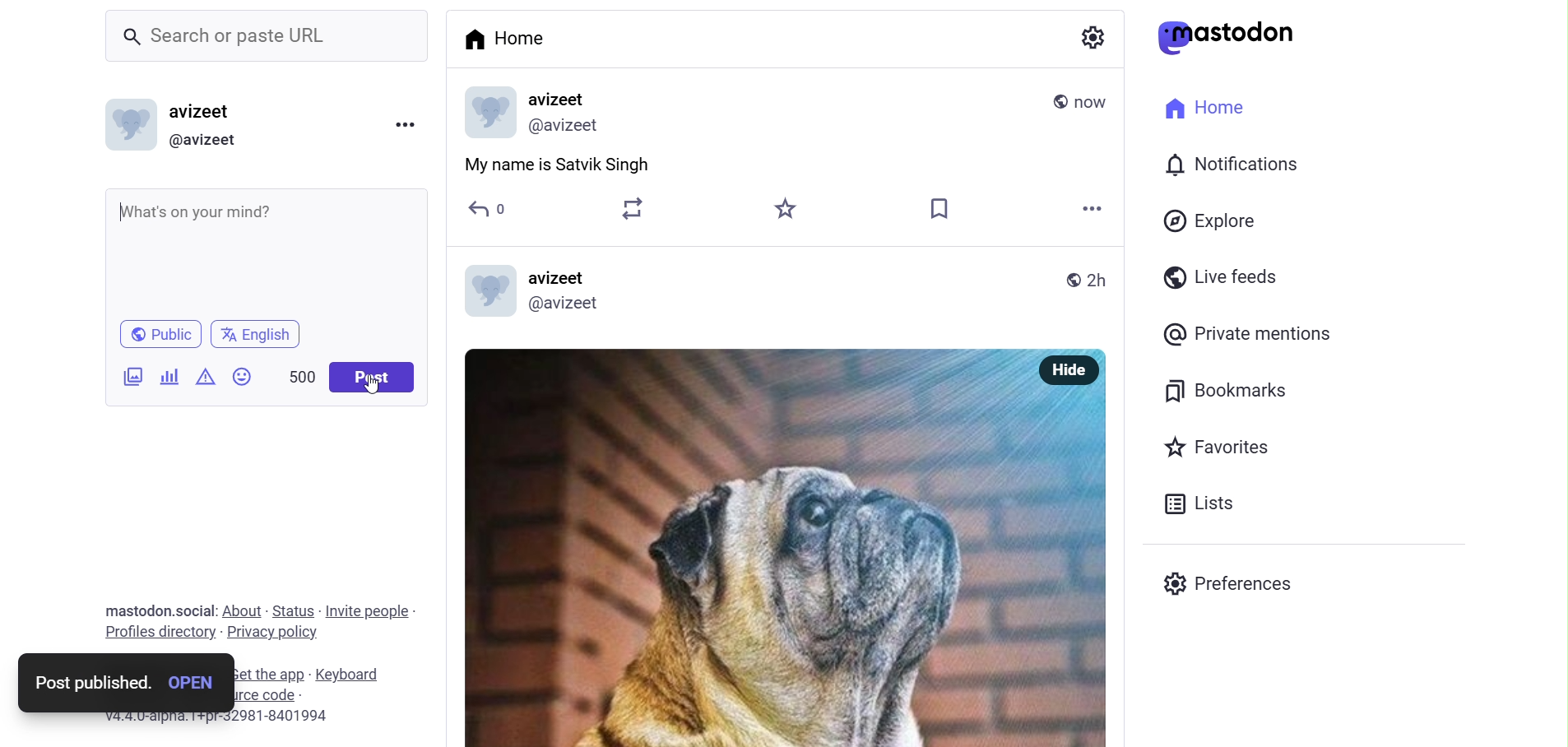  What do you see at coordinates (242, 376) in the screenshot?
I see `emoji` at bounding box center [242, 376].